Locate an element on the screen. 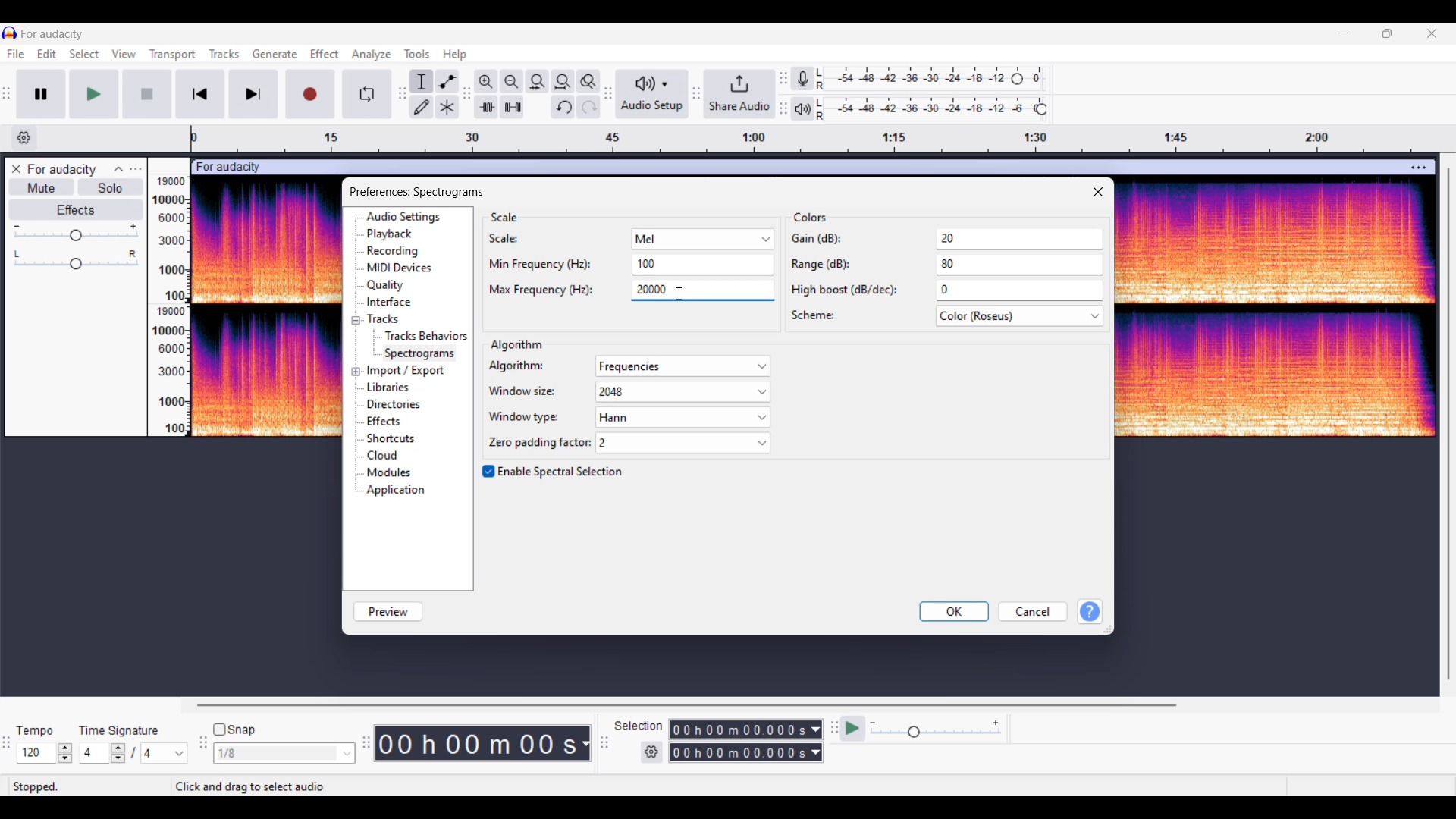 Image resolution: width=1456 pixels, height=819 pixels. Multi tool is located at coordinates (447, 107).